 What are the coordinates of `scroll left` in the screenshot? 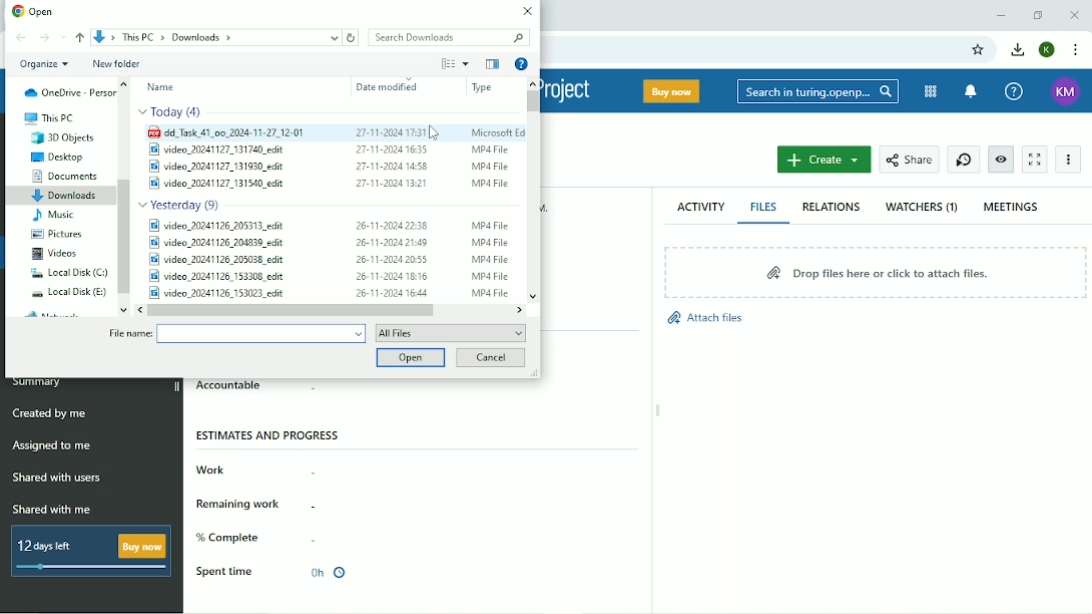 It's located at (136, 310).